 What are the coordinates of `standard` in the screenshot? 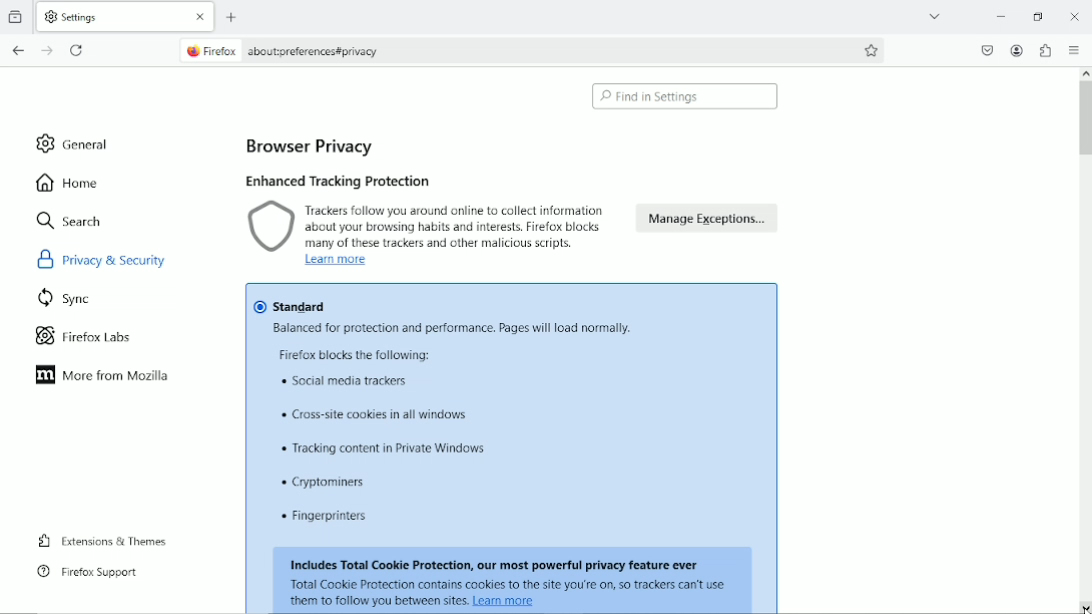 It's located at (300, 307).